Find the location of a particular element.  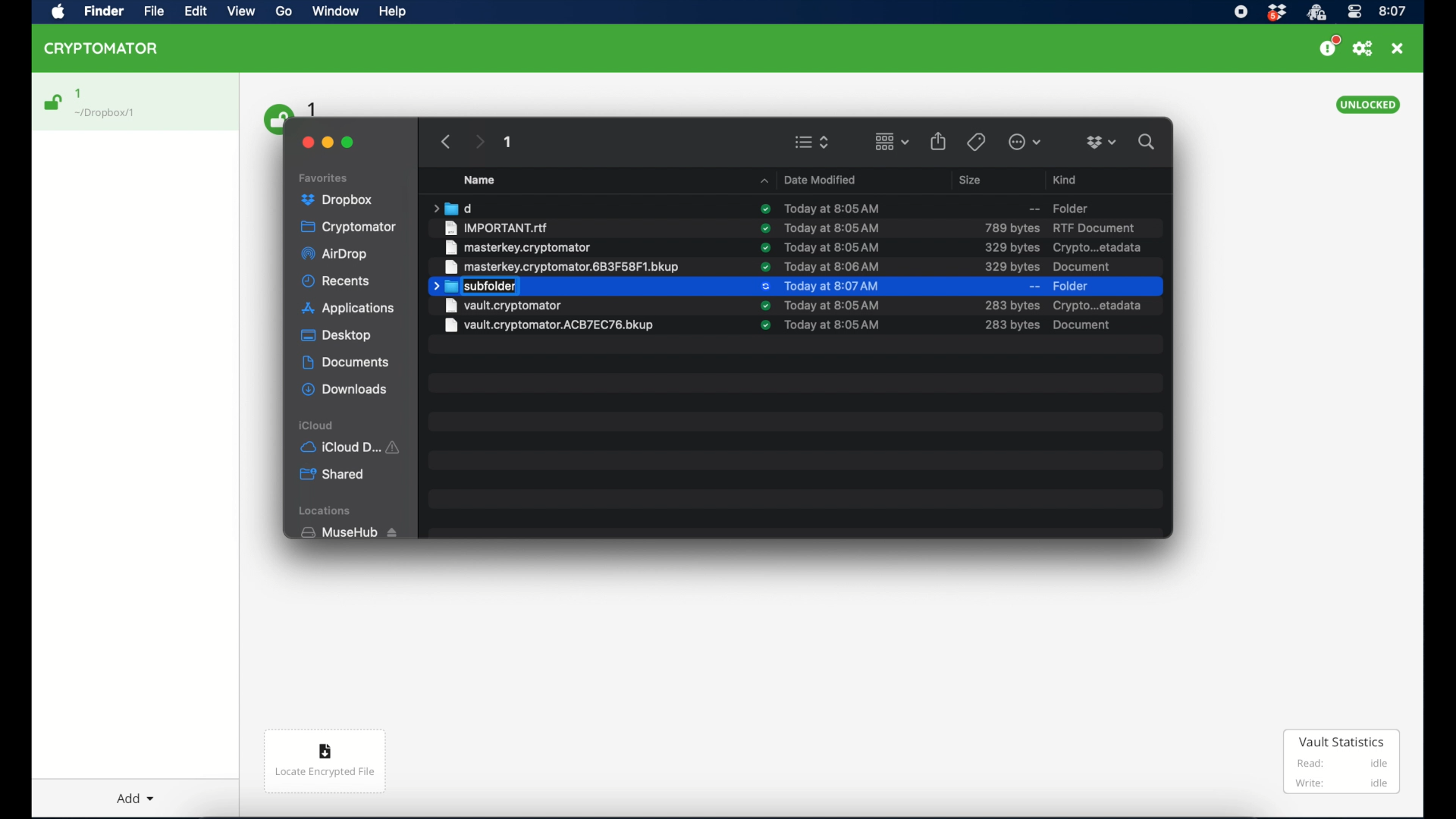

size is located at coordinates (1011, 247).